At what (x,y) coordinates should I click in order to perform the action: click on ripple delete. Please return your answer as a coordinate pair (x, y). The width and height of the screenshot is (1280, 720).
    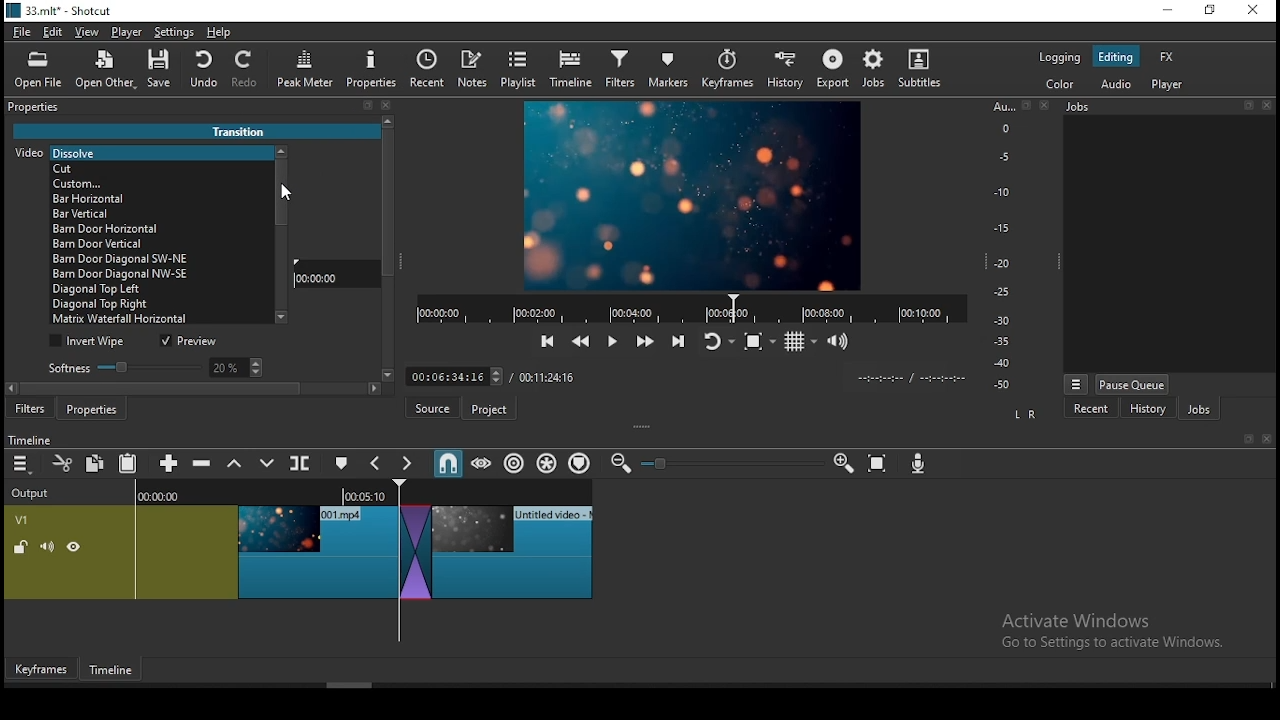
    Looking at the image, I should click on (204, 463).